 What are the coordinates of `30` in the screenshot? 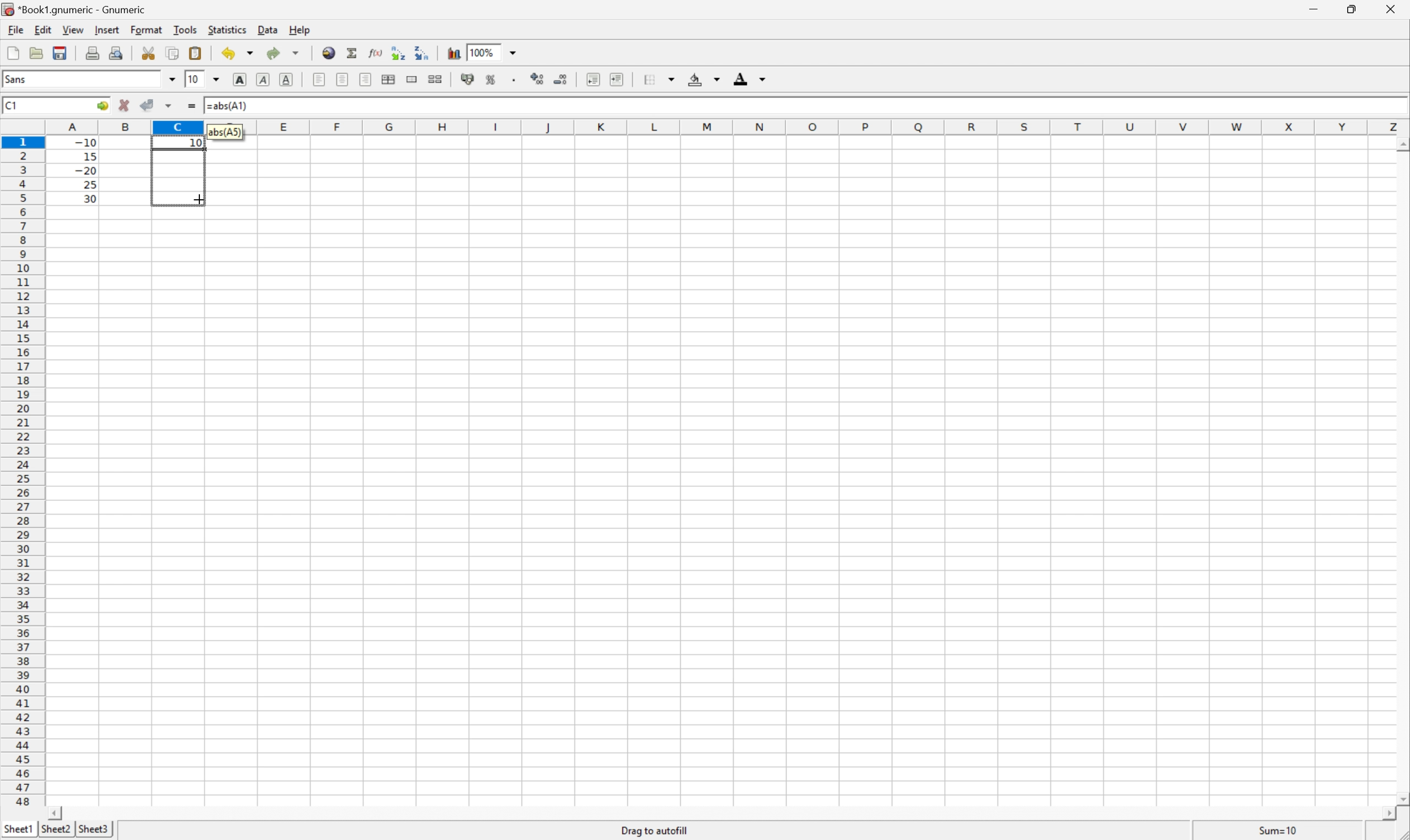 It's located at (87, 198).